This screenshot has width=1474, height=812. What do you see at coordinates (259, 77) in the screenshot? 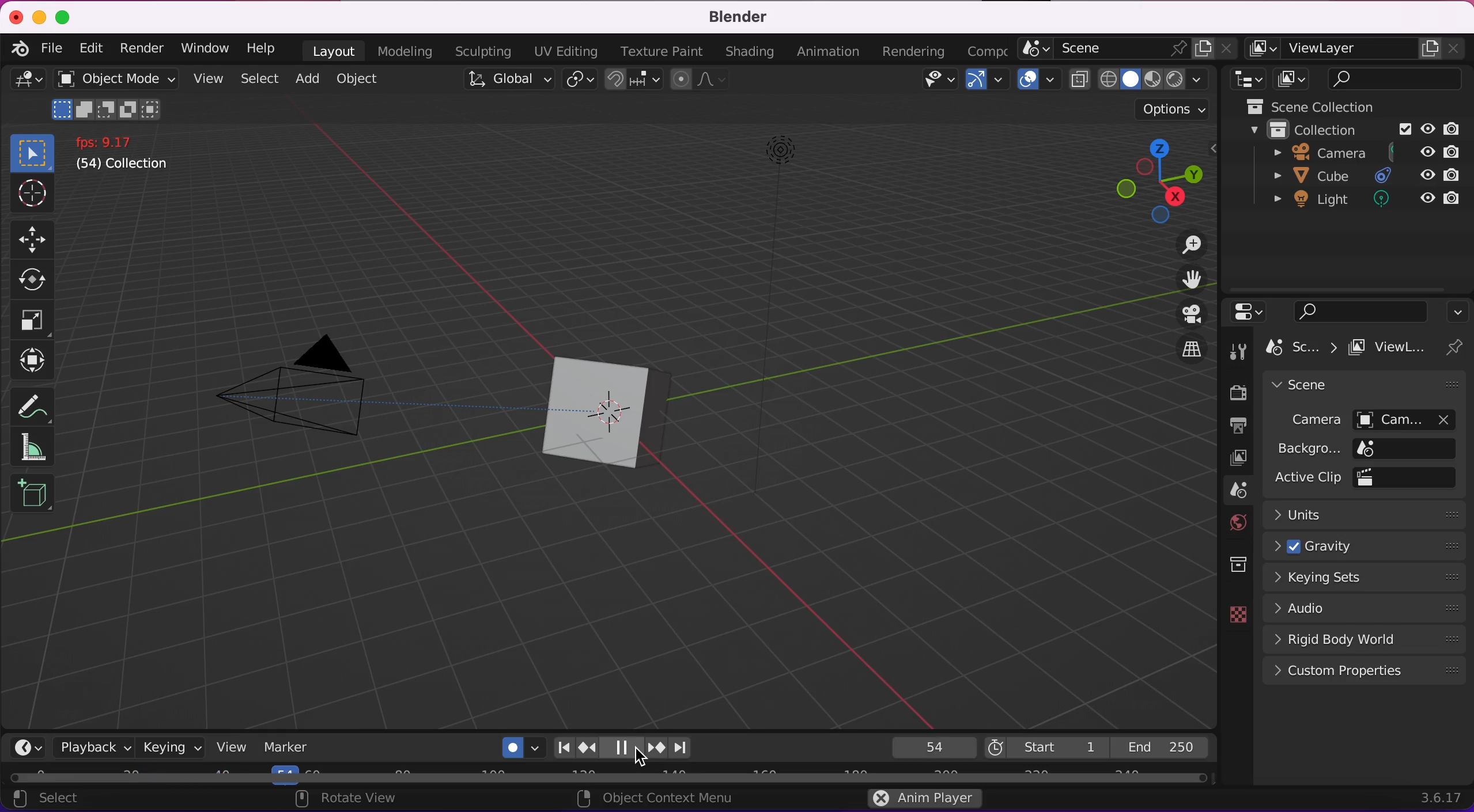
I see `select` at bounding box center [259, 77].